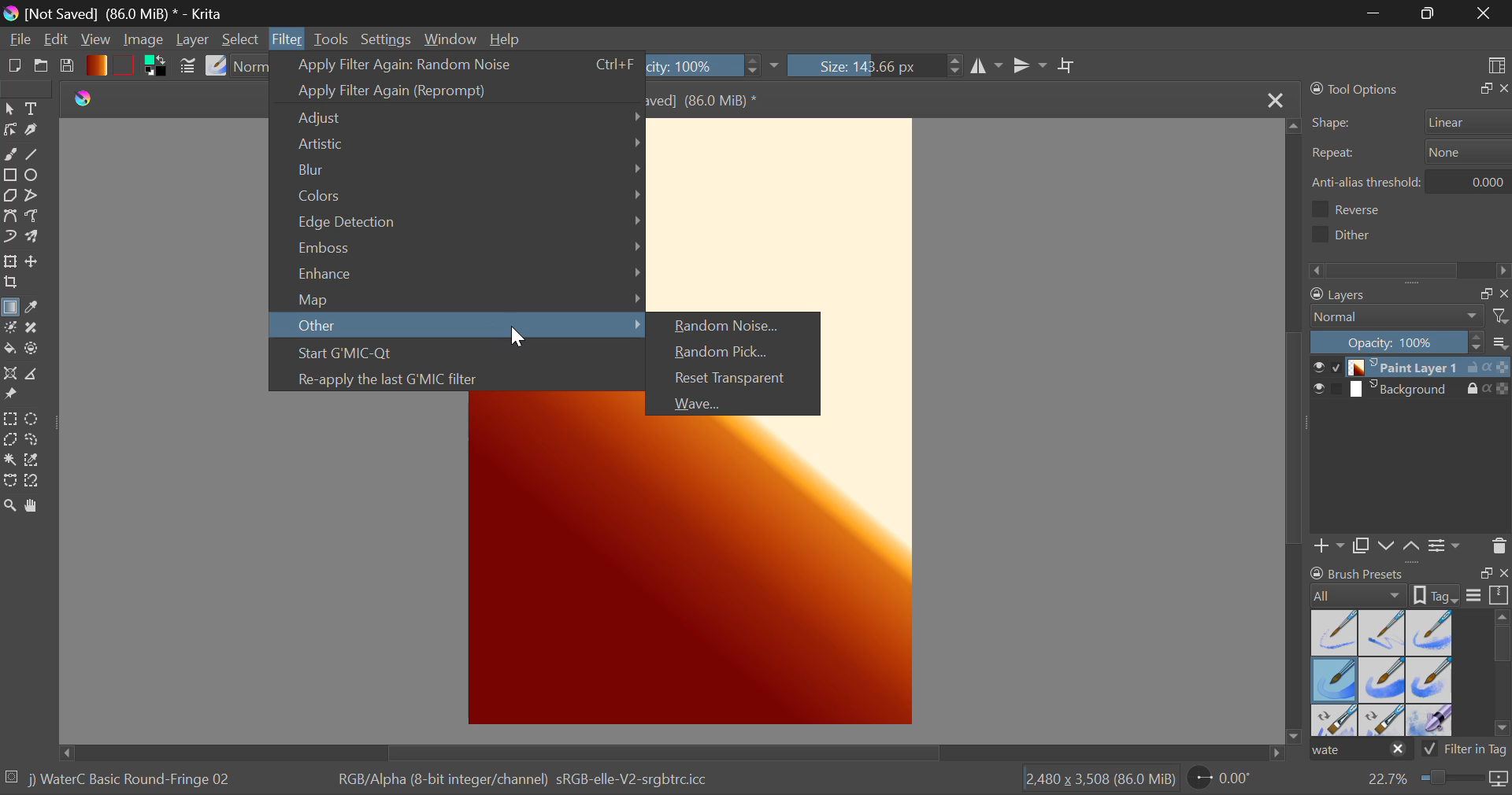 The height and width of the screenshot is (795, 1512). Describe the element at coordinates (1503, 675) in the screenshot. I see `horizontal scroll bar` at that location.